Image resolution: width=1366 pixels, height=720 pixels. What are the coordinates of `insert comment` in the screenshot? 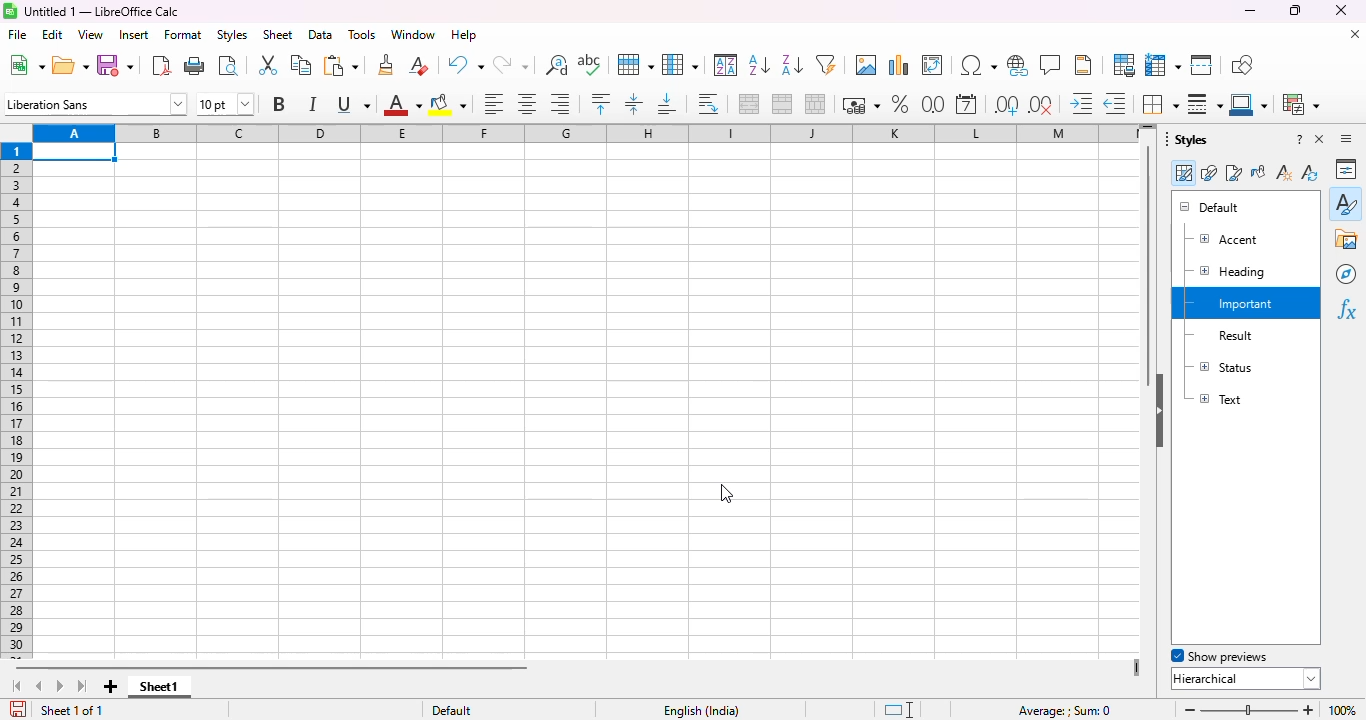 It's located at (1051, 64).